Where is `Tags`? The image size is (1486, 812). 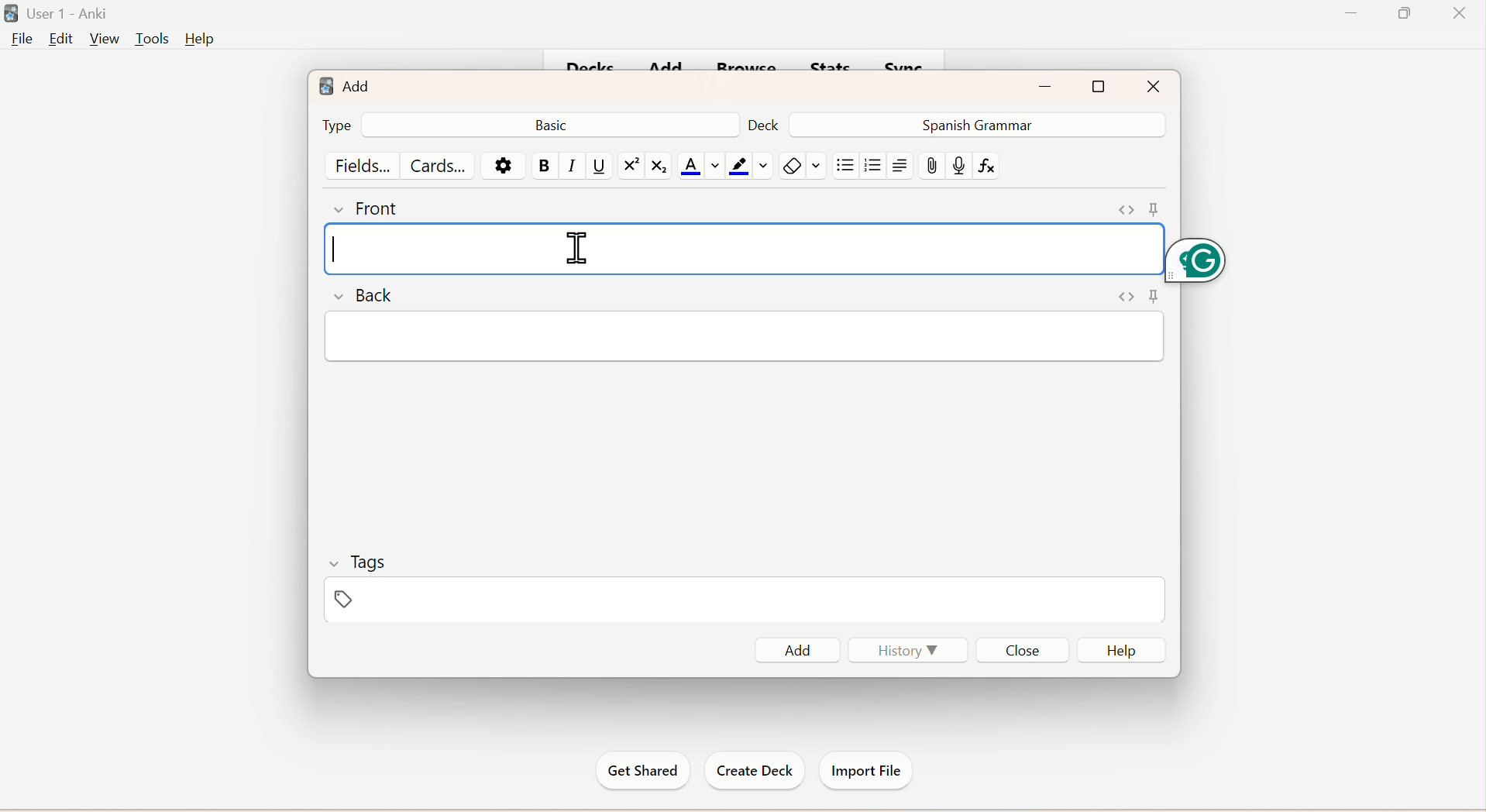 Tags is located at coordinates (358, 559).